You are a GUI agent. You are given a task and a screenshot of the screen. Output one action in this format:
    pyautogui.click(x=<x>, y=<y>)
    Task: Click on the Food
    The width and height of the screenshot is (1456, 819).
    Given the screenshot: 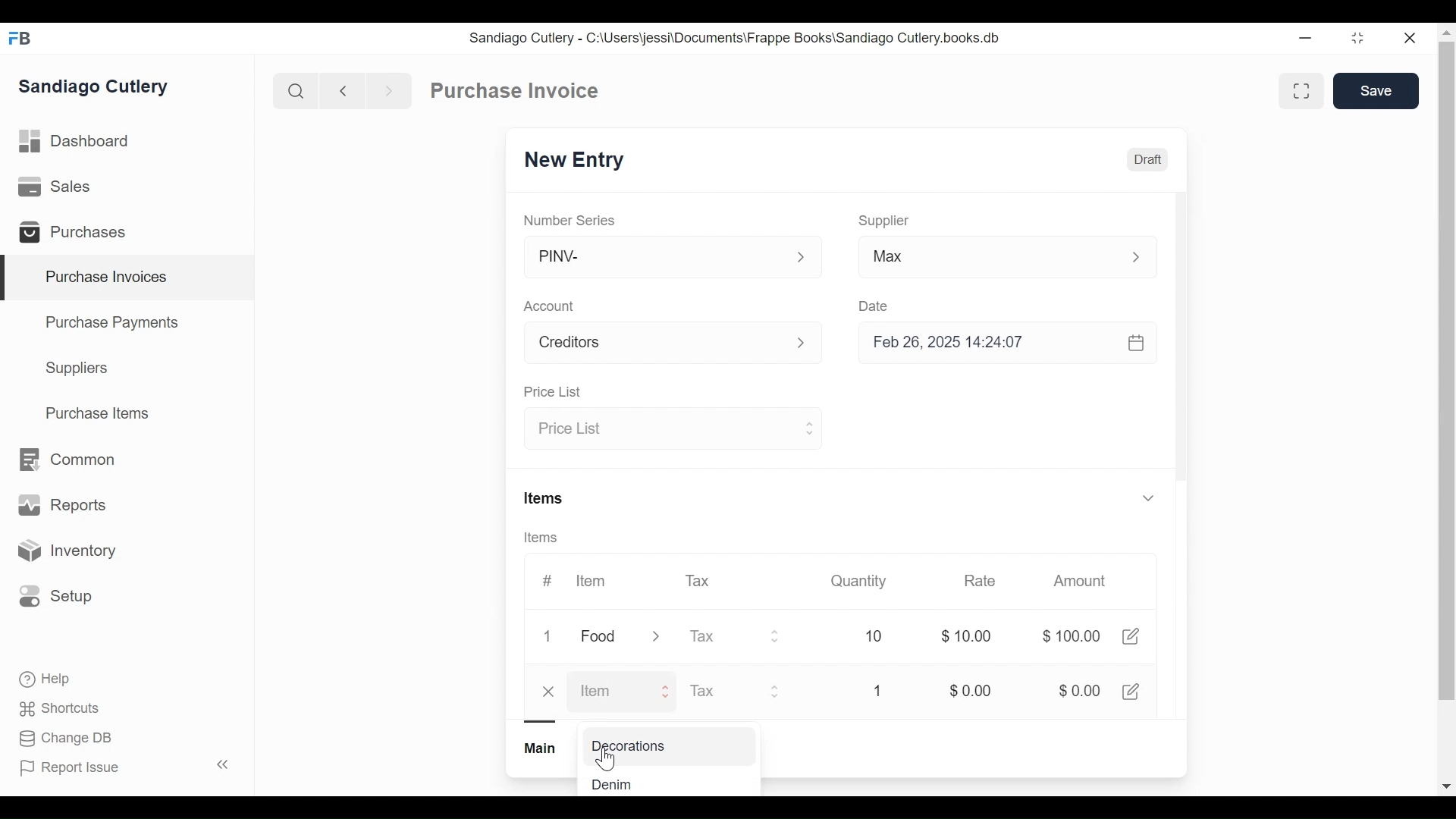 What is the action you would take?
    pyautogui.click(x=599, y=636)
    